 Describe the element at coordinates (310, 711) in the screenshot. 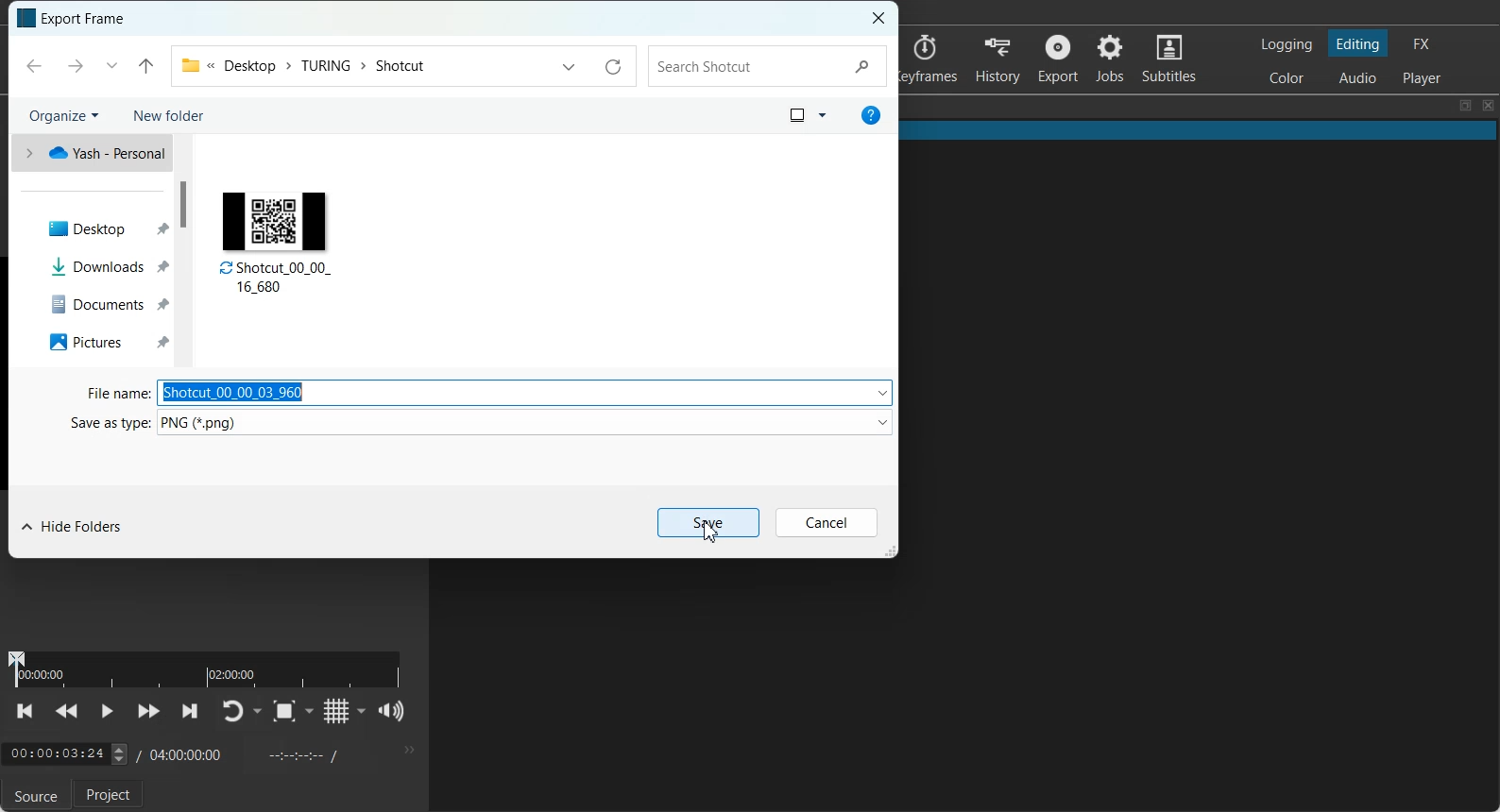

I see `Drop down box` at that location.